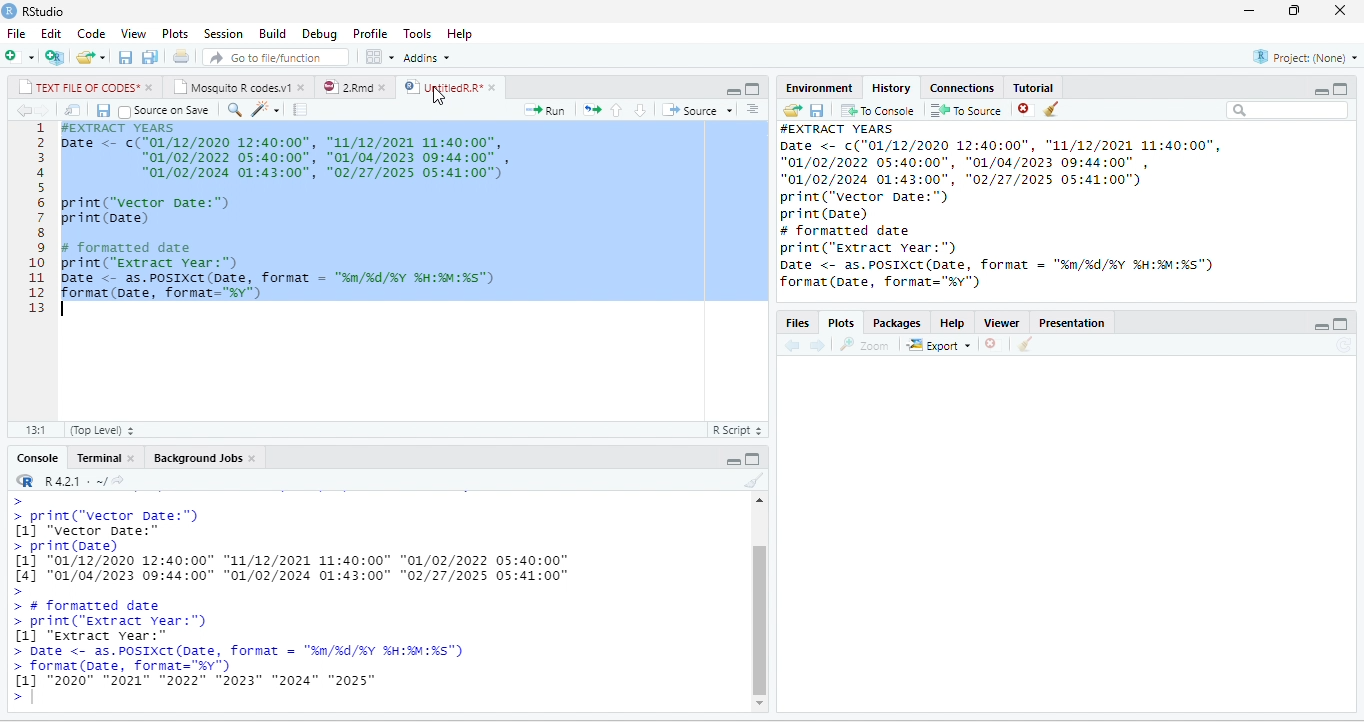 Image resolution: width=1364 pixels, height=722 pixels. Describe the element at coordinates (371, 35) in the screenshot. I see `Profile` at that location.